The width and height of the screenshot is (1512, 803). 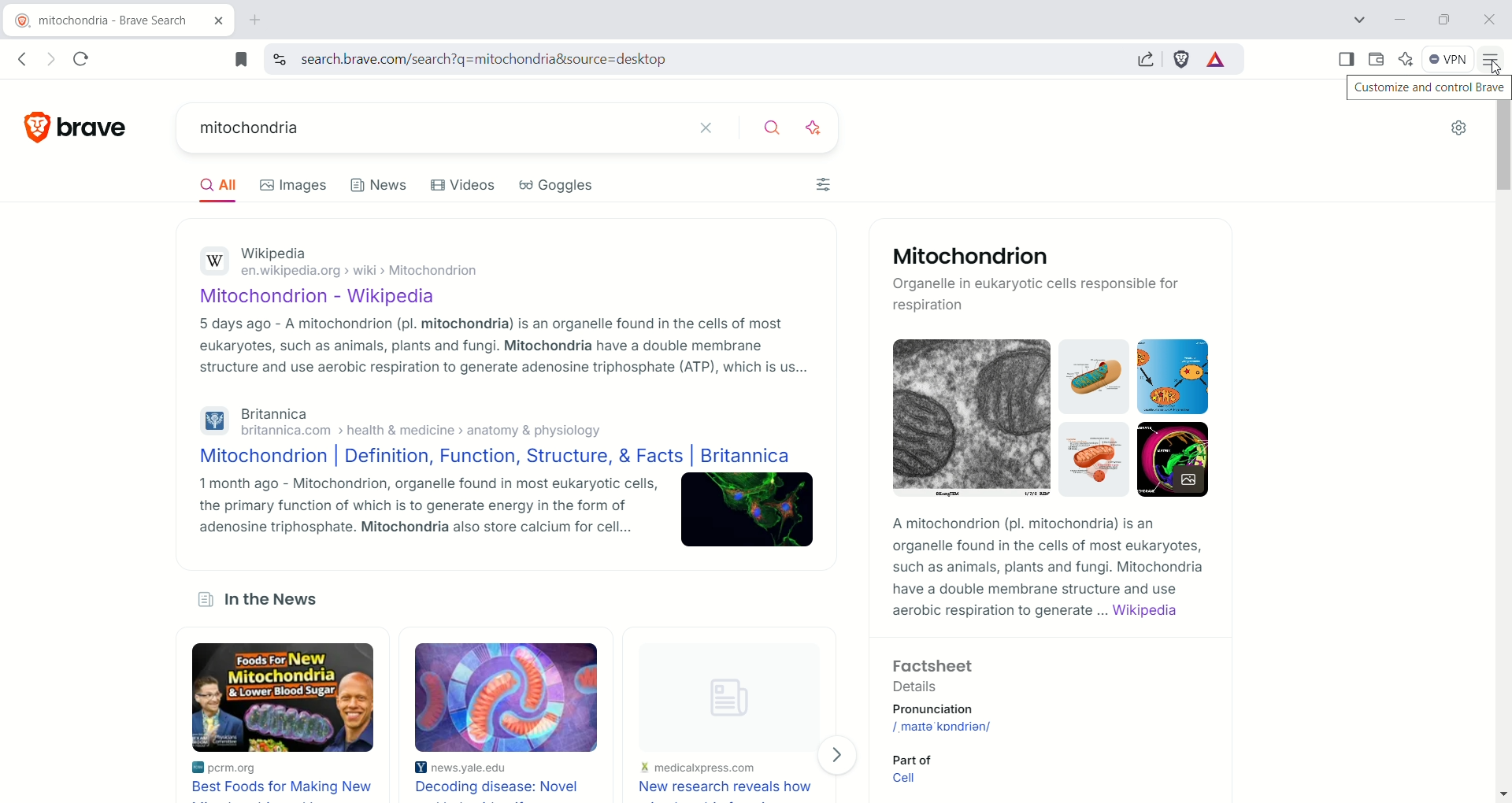 I want to click on News, so click(x=383, y=187).